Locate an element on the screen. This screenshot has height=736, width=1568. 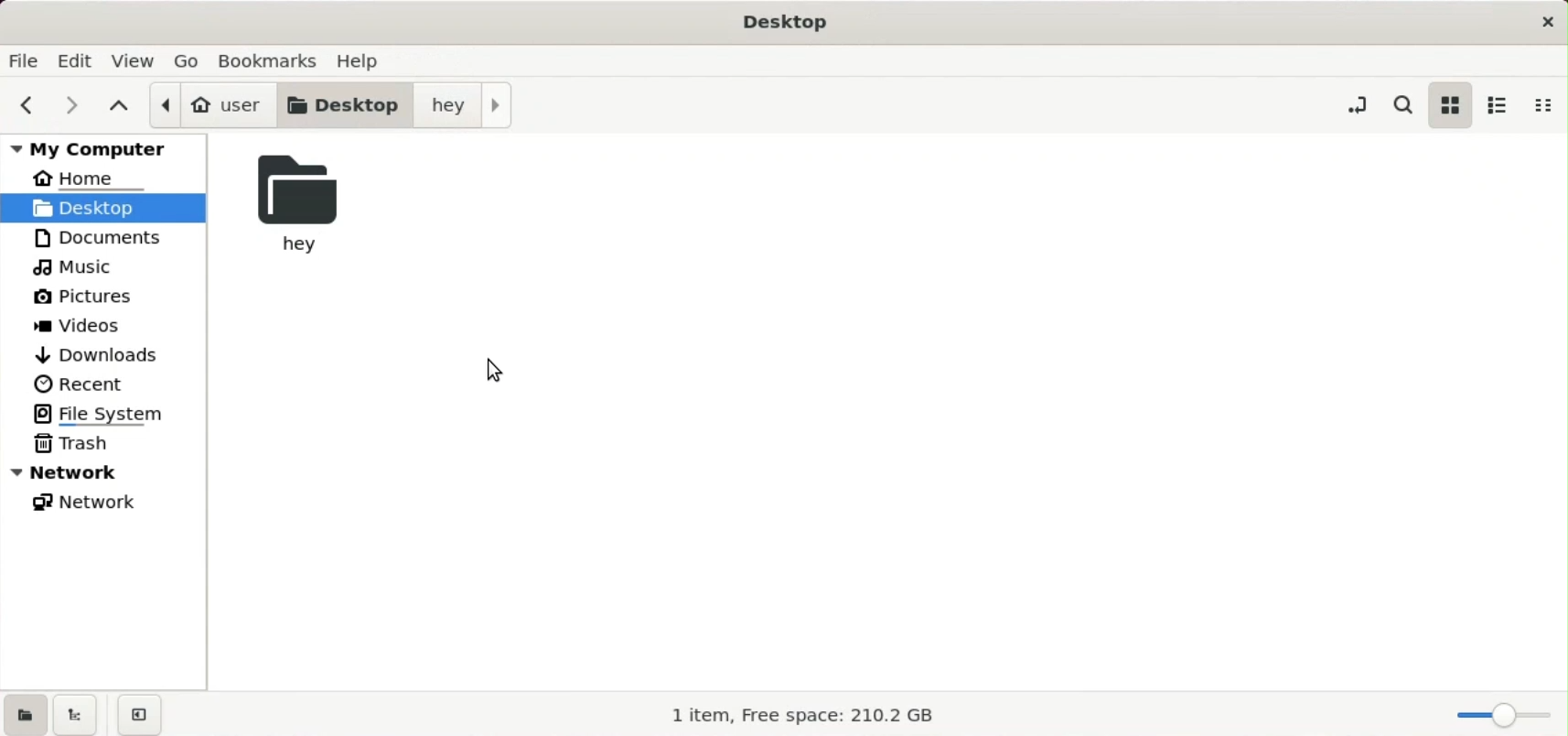
bookmarks is located at coordinates (274, 59).